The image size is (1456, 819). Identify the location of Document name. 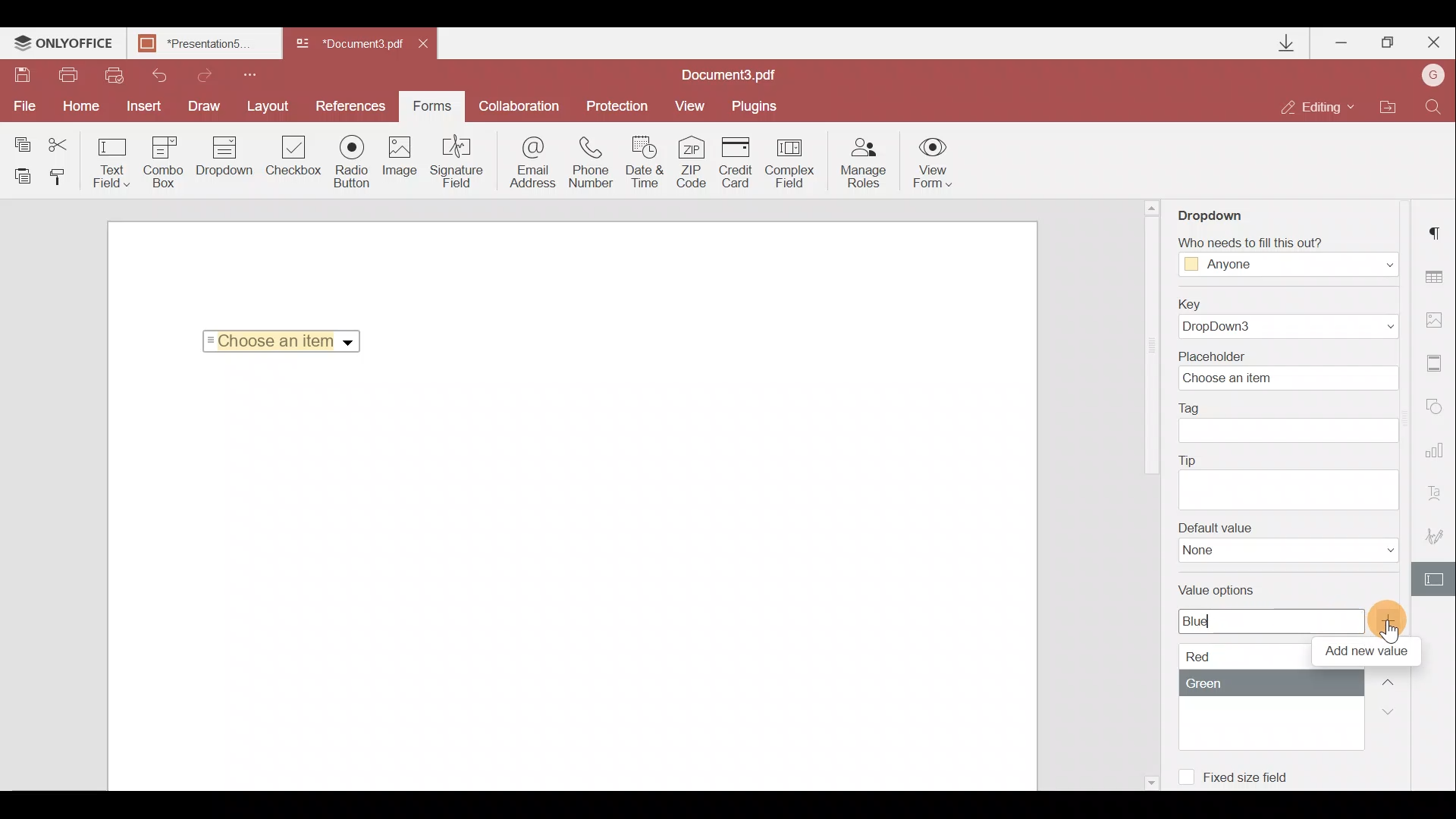
(209, 45).